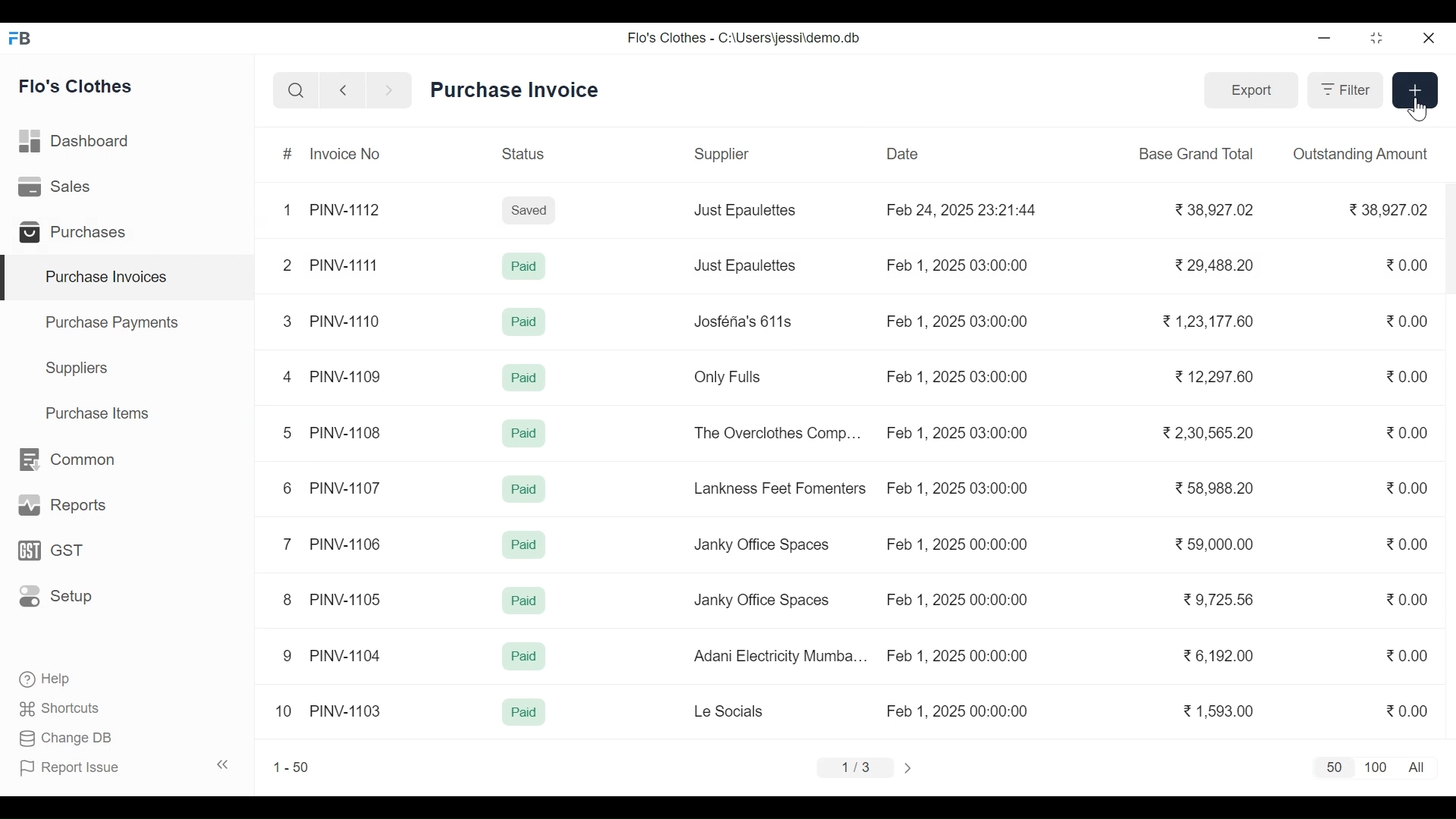 The width and height of the screenshot is (1456, 819). Describe the element at coordinates (959, 378) in the screenshot. I see `Feb 1, 2025 03:00:00` at that location.